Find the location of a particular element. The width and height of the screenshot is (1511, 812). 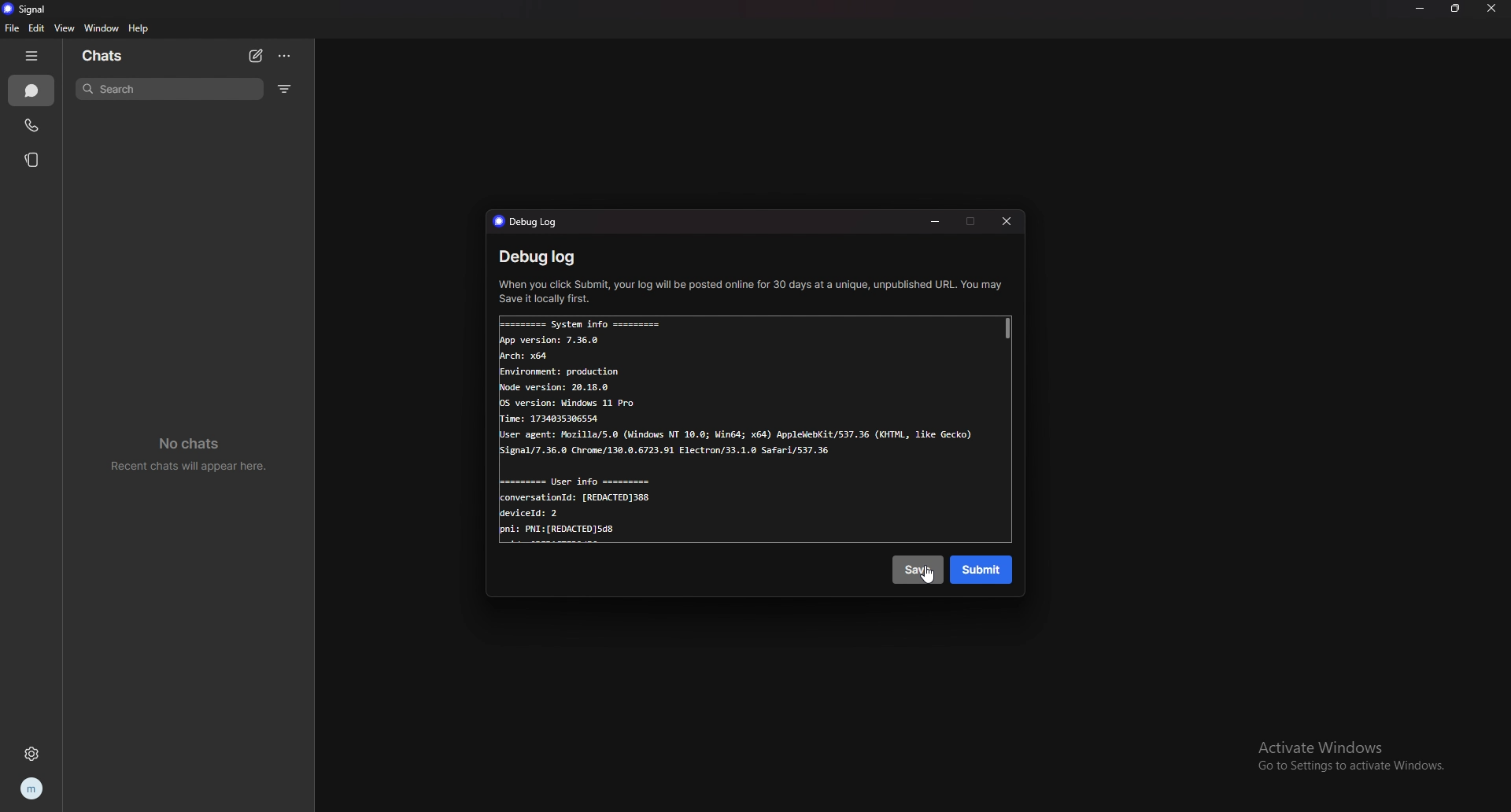

chats is located at coordinates (31, 91).